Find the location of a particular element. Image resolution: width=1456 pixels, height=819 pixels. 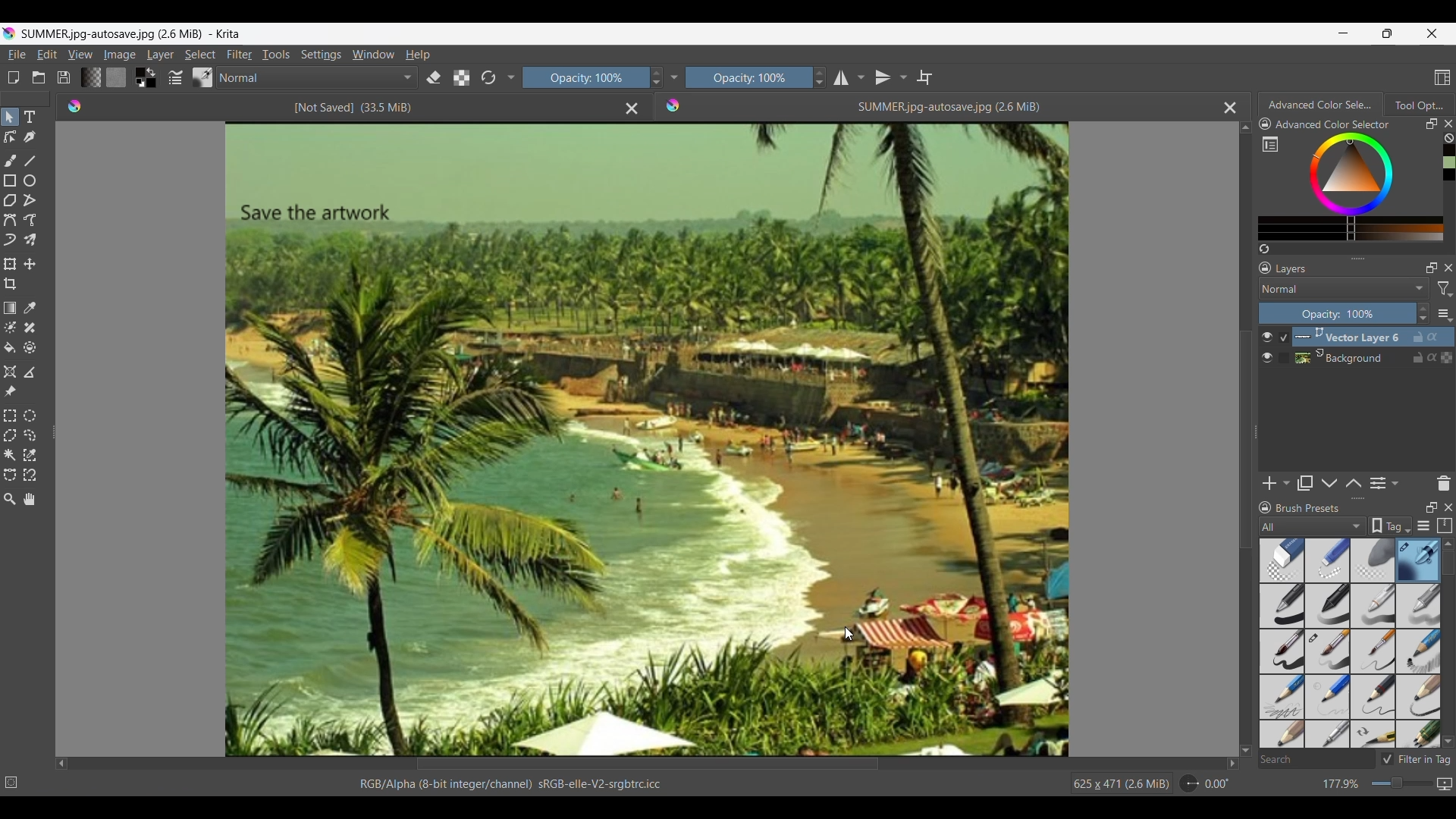

Smart patch tool is located at coordinates (30, 328).